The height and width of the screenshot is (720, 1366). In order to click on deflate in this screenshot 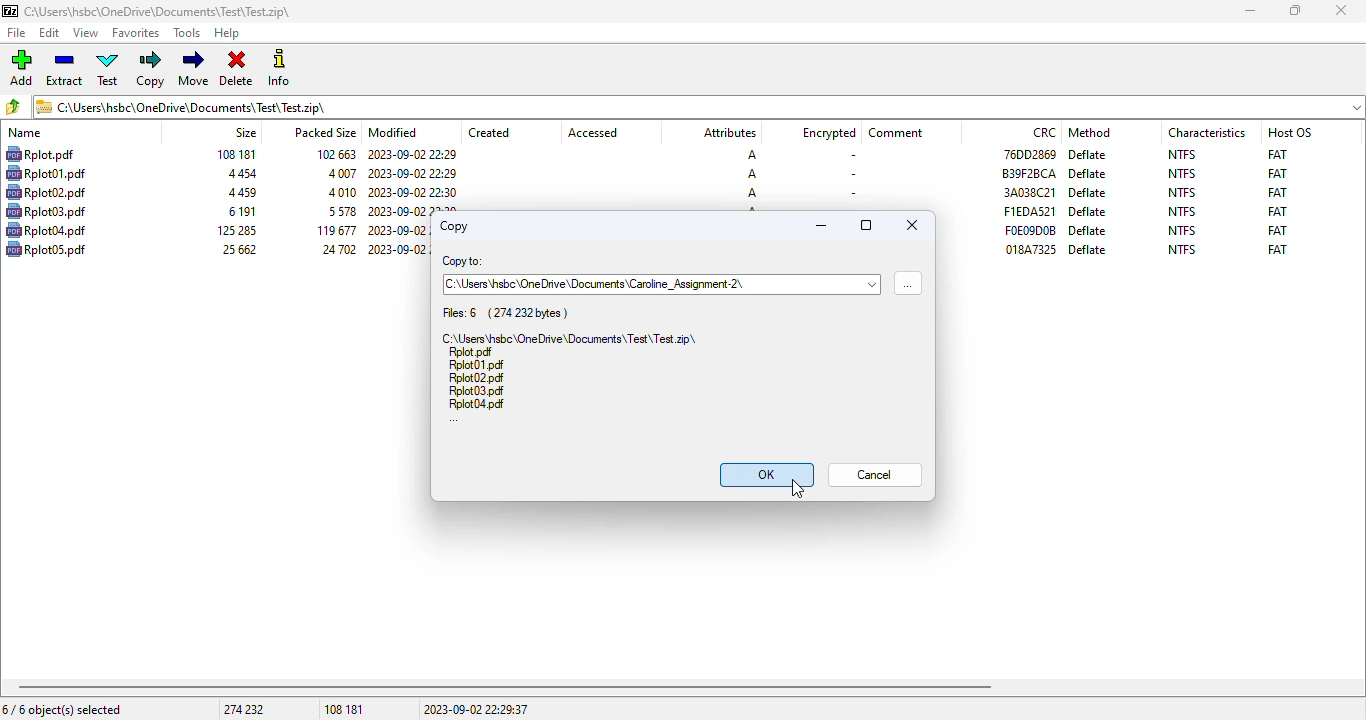, I will do `click(1088, 249)`.